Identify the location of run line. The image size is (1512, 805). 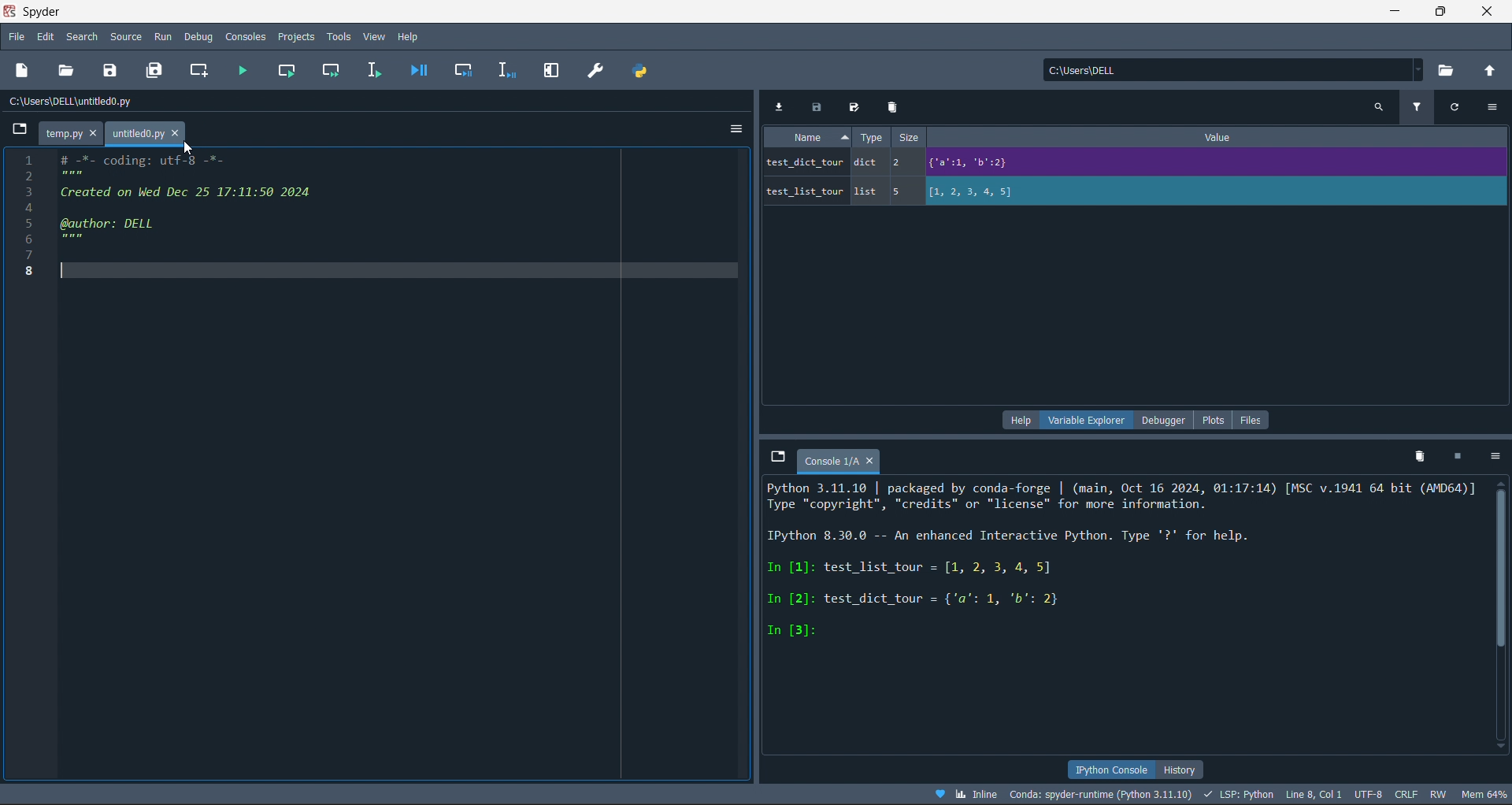
(373, 69).